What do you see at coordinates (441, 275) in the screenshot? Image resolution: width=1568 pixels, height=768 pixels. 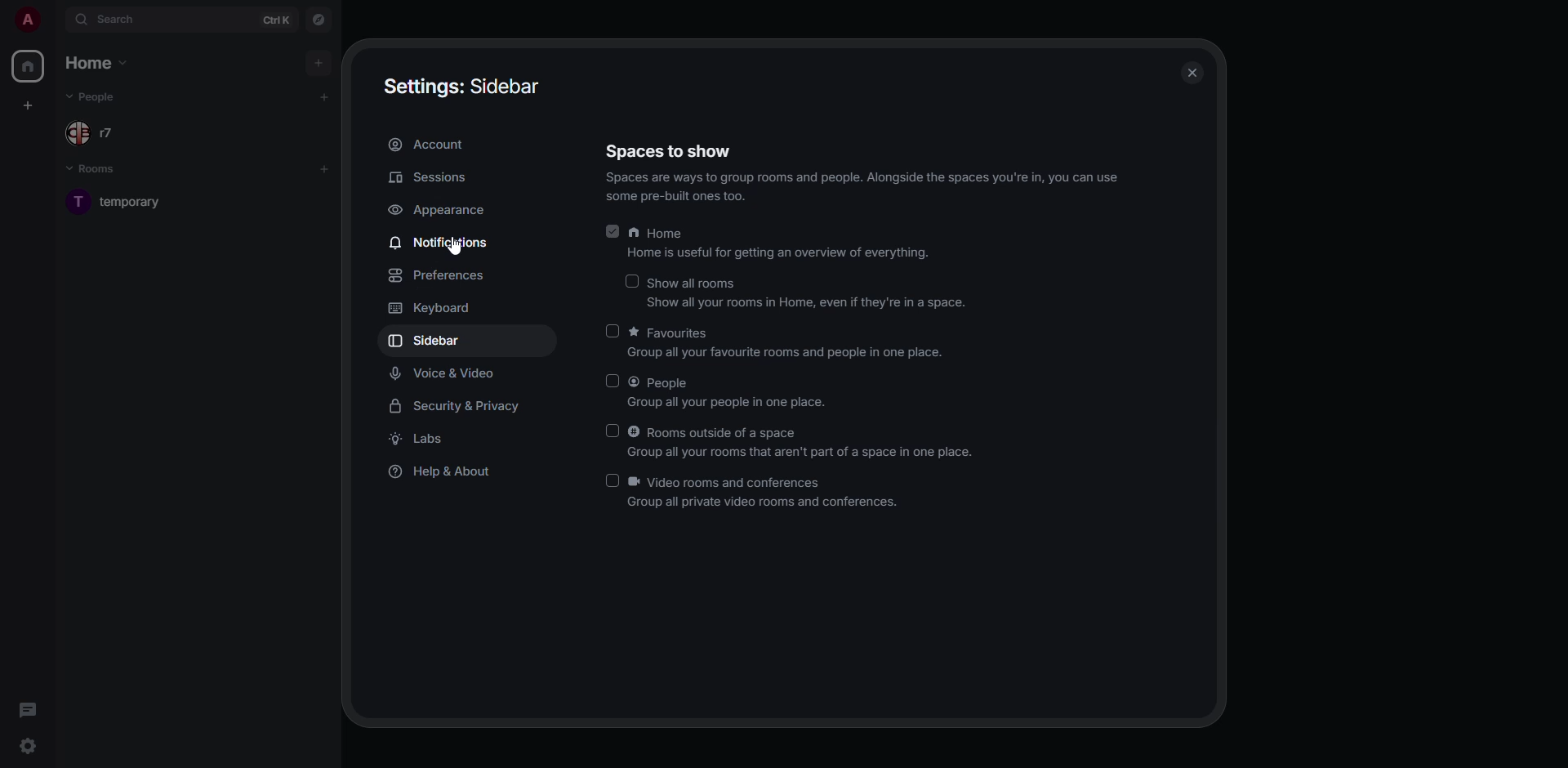 I see `preferences` at bounding box center [441, 275].